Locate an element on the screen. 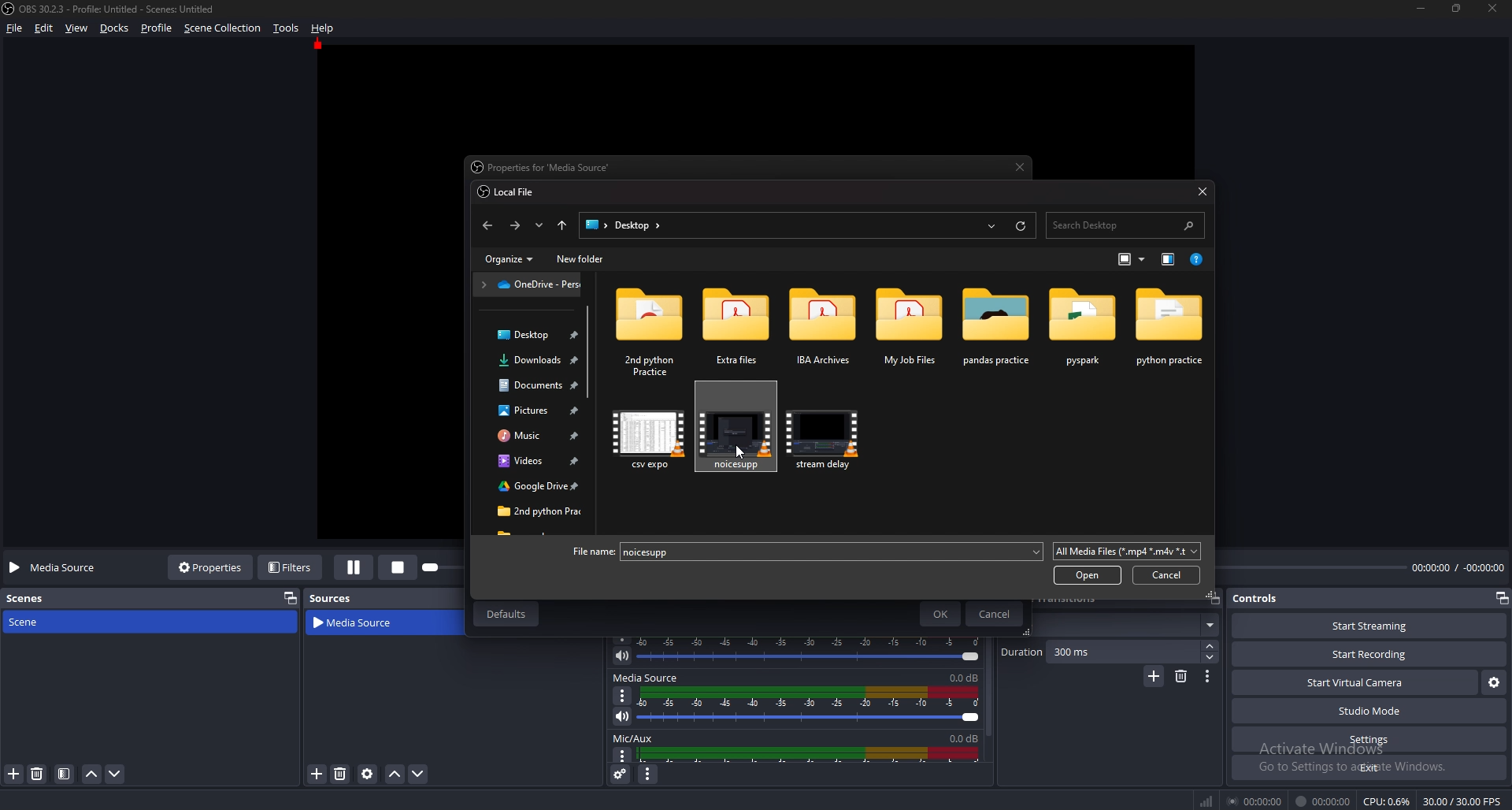  Filters  is located at coordinates (292, 567).